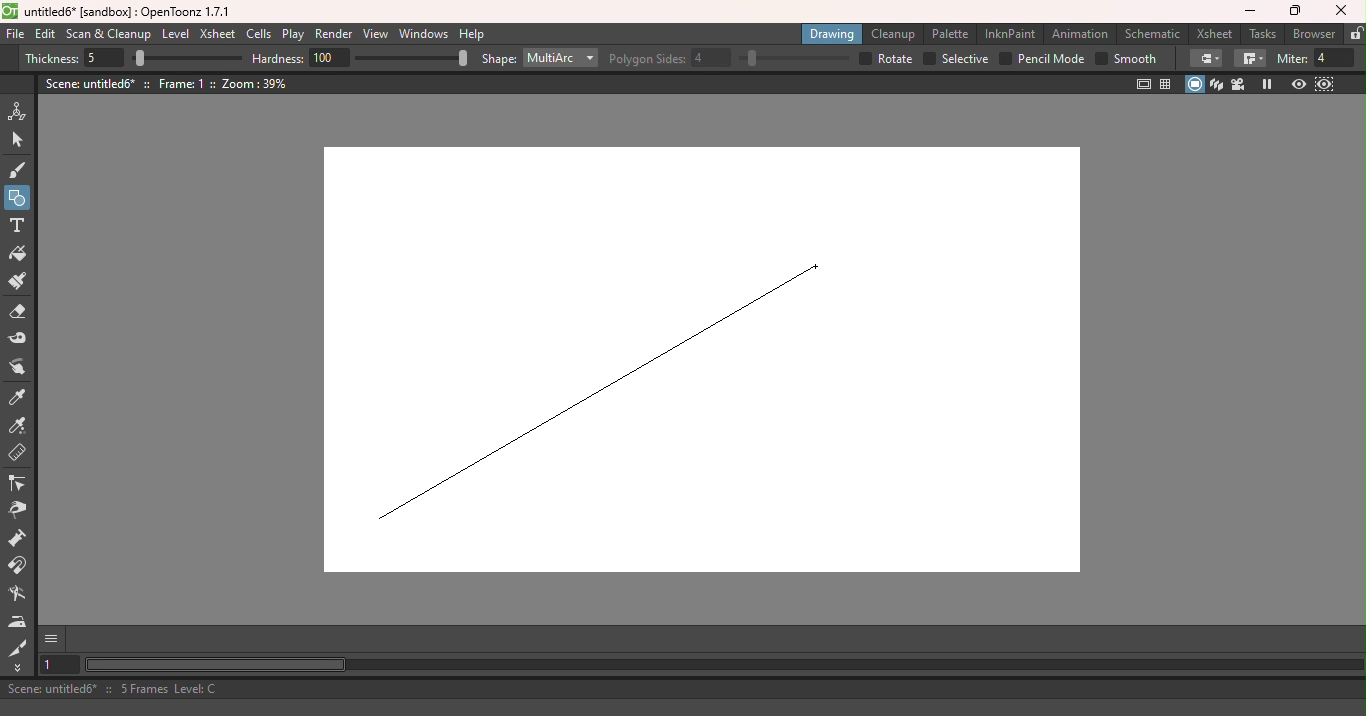 The width and height of the screenshot is (1366, 716). What do you see at coordinates (20, 567) in the screenshot?
I see `Magnet tool` at bounding box center [20, 567].